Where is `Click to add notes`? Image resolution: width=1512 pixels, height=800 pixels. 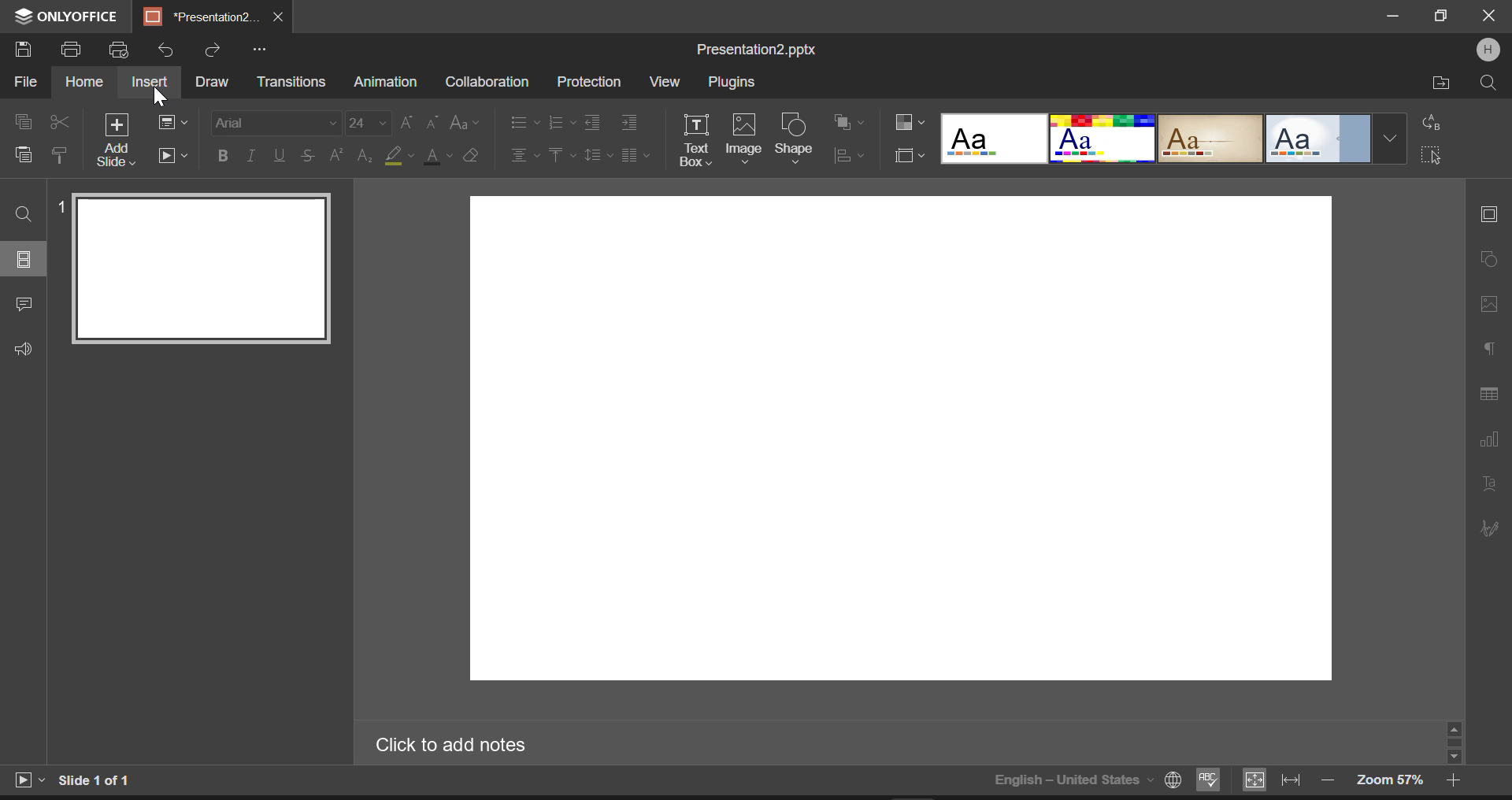 Click to add notes is located at coordinates (461, 745).